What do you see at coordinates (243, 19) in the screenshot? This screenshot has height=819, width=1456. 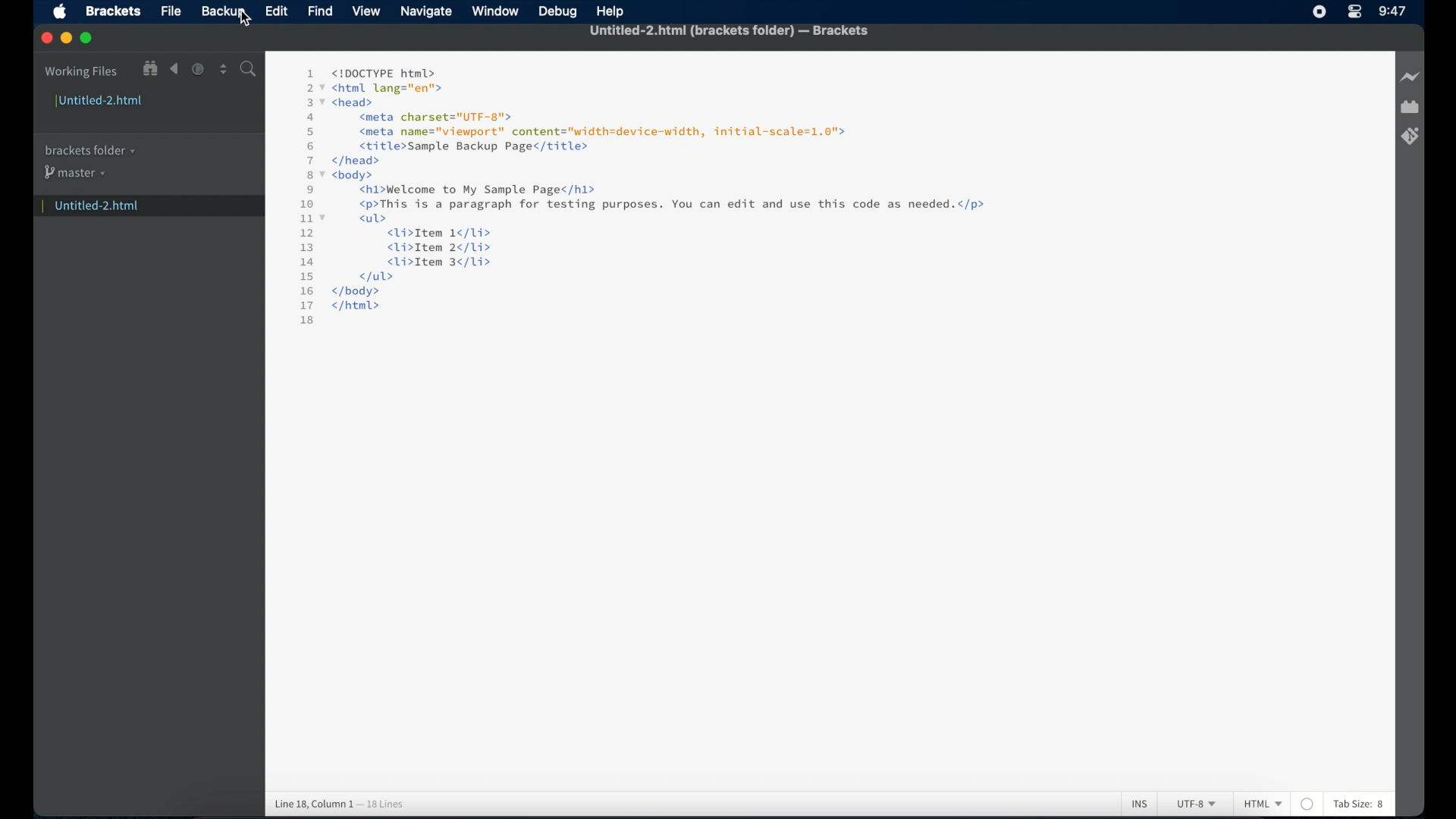 I see `Cursor` at bounding box center [243, 19].